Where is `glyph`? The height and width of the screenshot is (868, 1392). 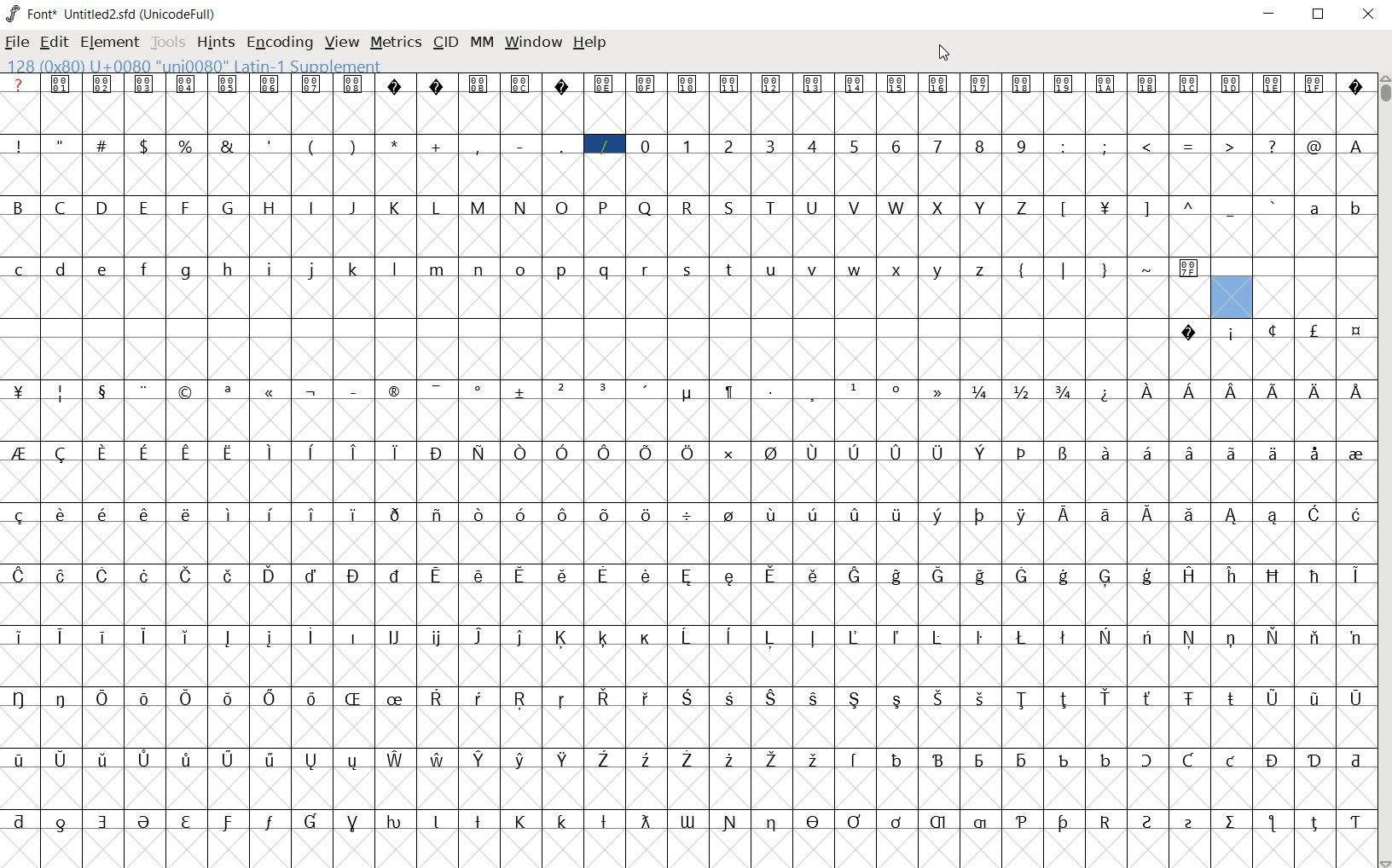
glyph is located at coordinates (1105, 697).